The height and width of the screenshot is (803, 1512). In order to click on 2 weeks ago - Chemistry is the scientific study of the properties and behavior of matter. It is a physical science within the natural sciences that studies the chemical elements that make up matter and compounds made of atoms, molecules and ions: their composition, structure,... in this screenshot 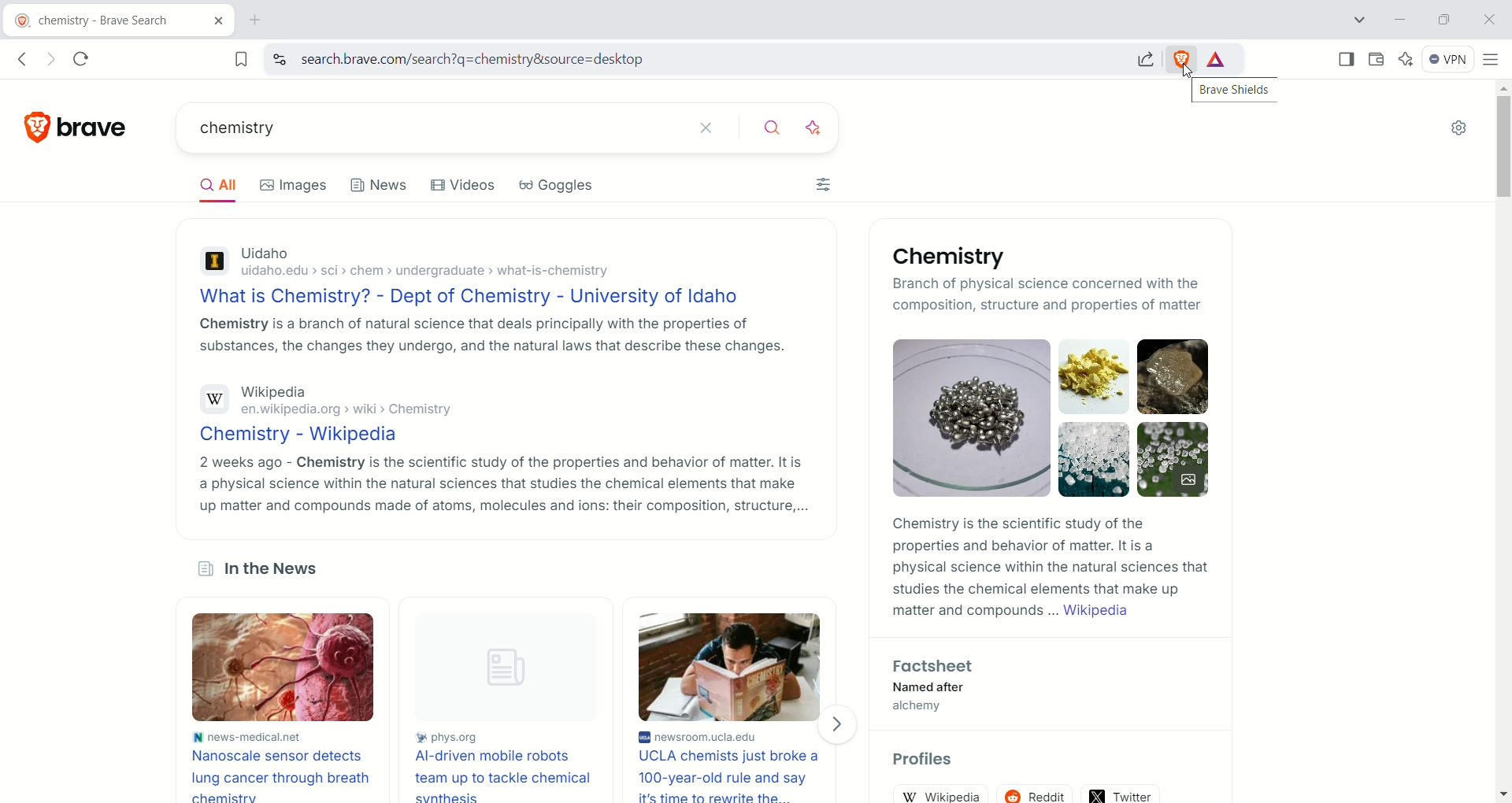, I will do `click(500, 483)`.